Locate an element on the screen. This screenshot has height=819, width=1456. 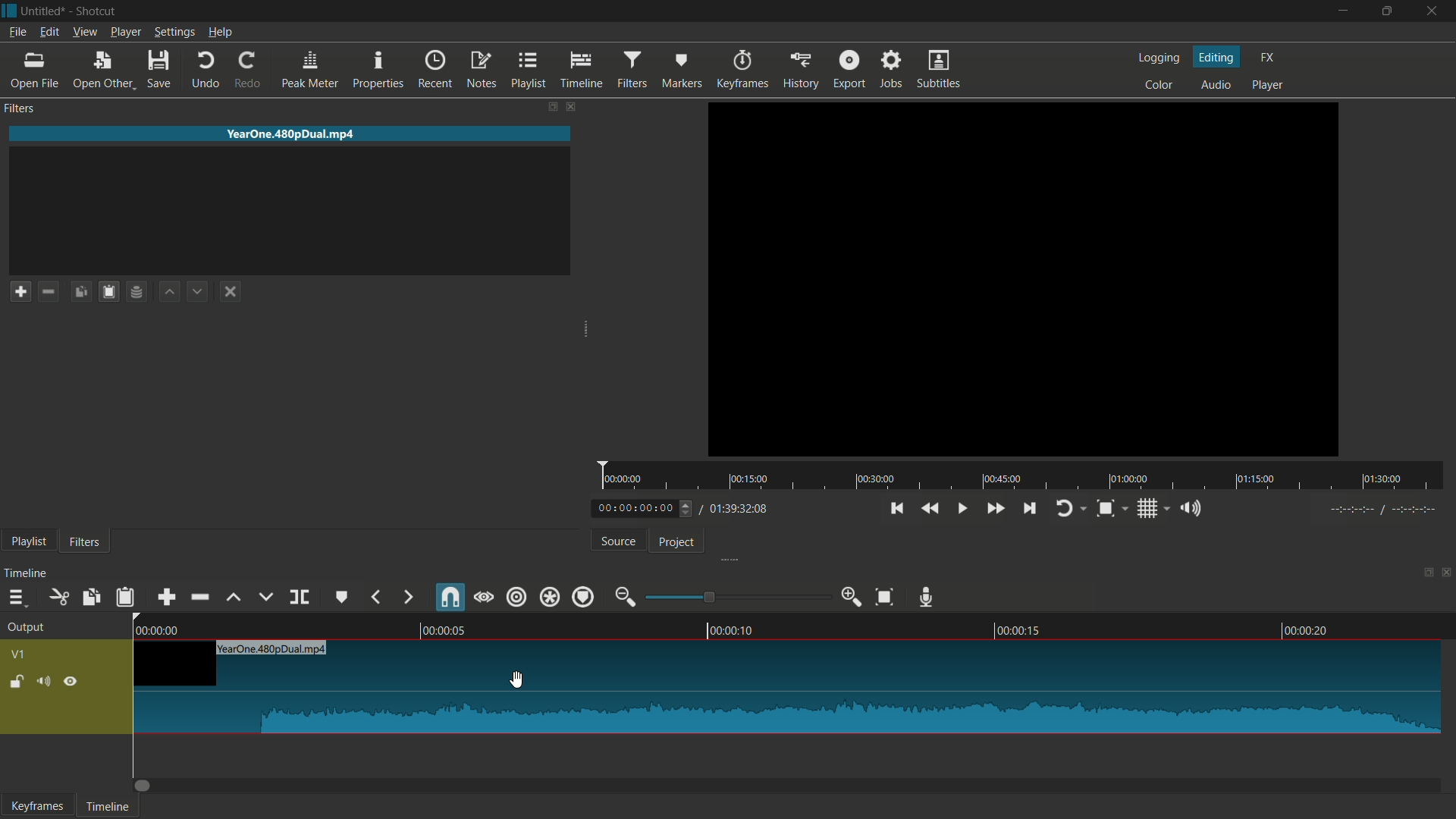
next marker is located at coordinates (406, 597).